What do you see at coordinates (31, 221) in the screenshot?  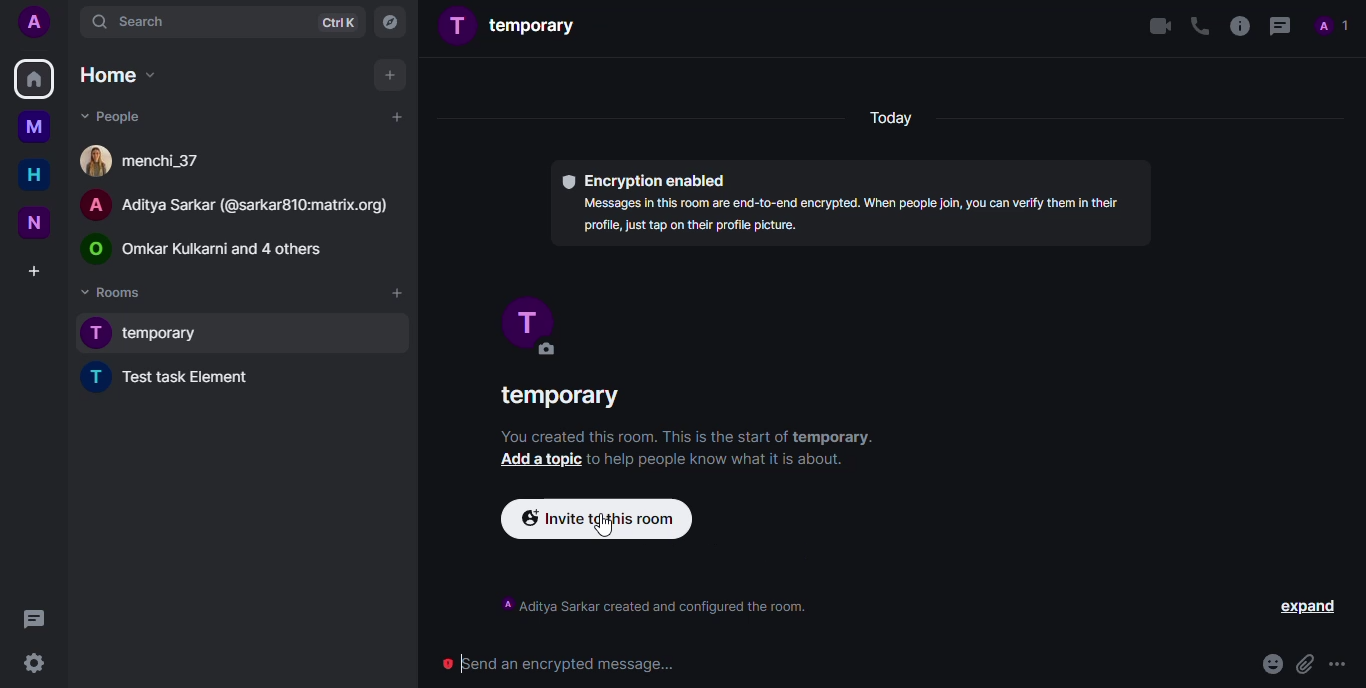 I see `new` at bounding box center [31, 221].